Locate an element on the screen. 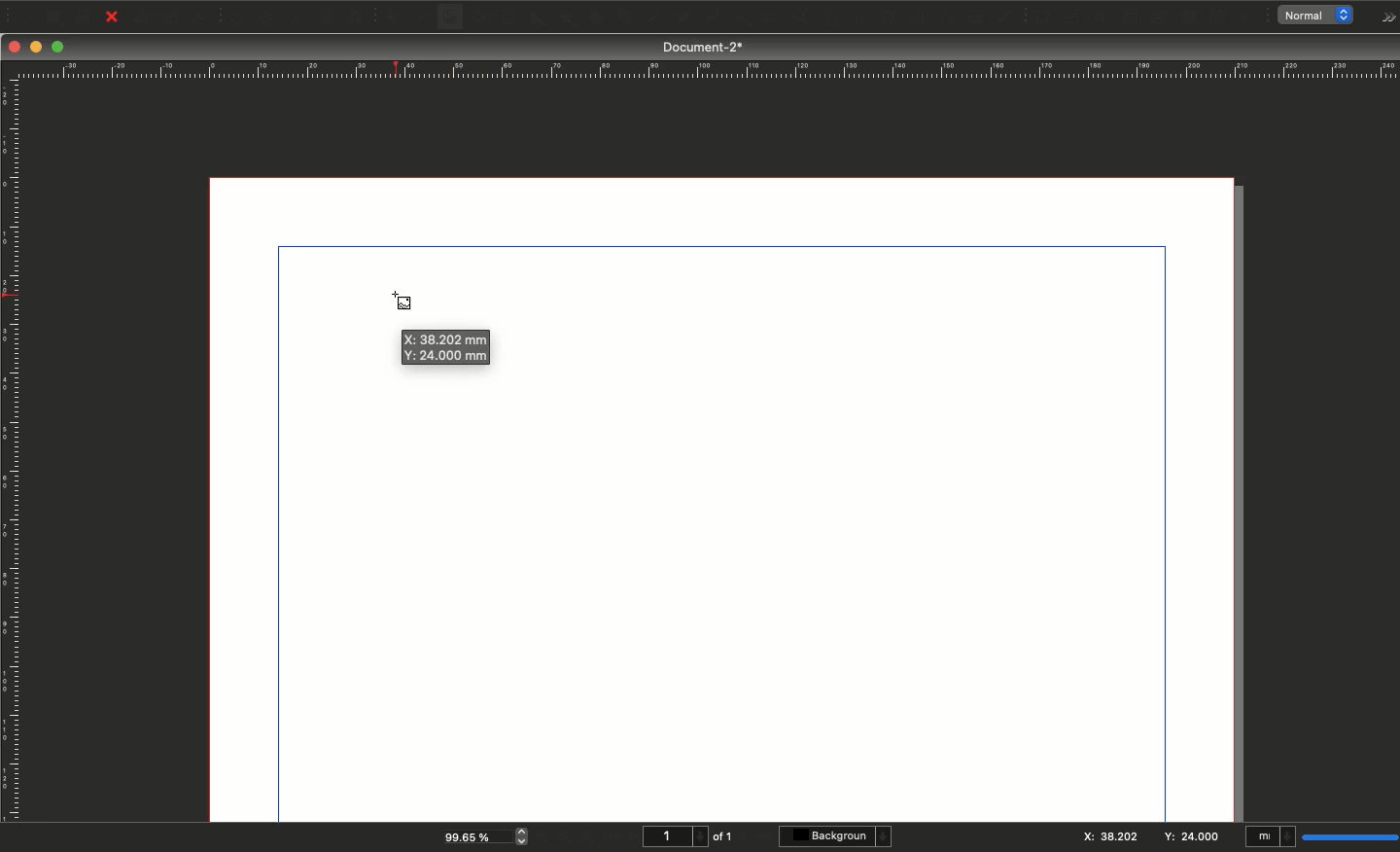 This screenshot has width=1400, height=852. Save as PDF is located at coordinates (202, 17).